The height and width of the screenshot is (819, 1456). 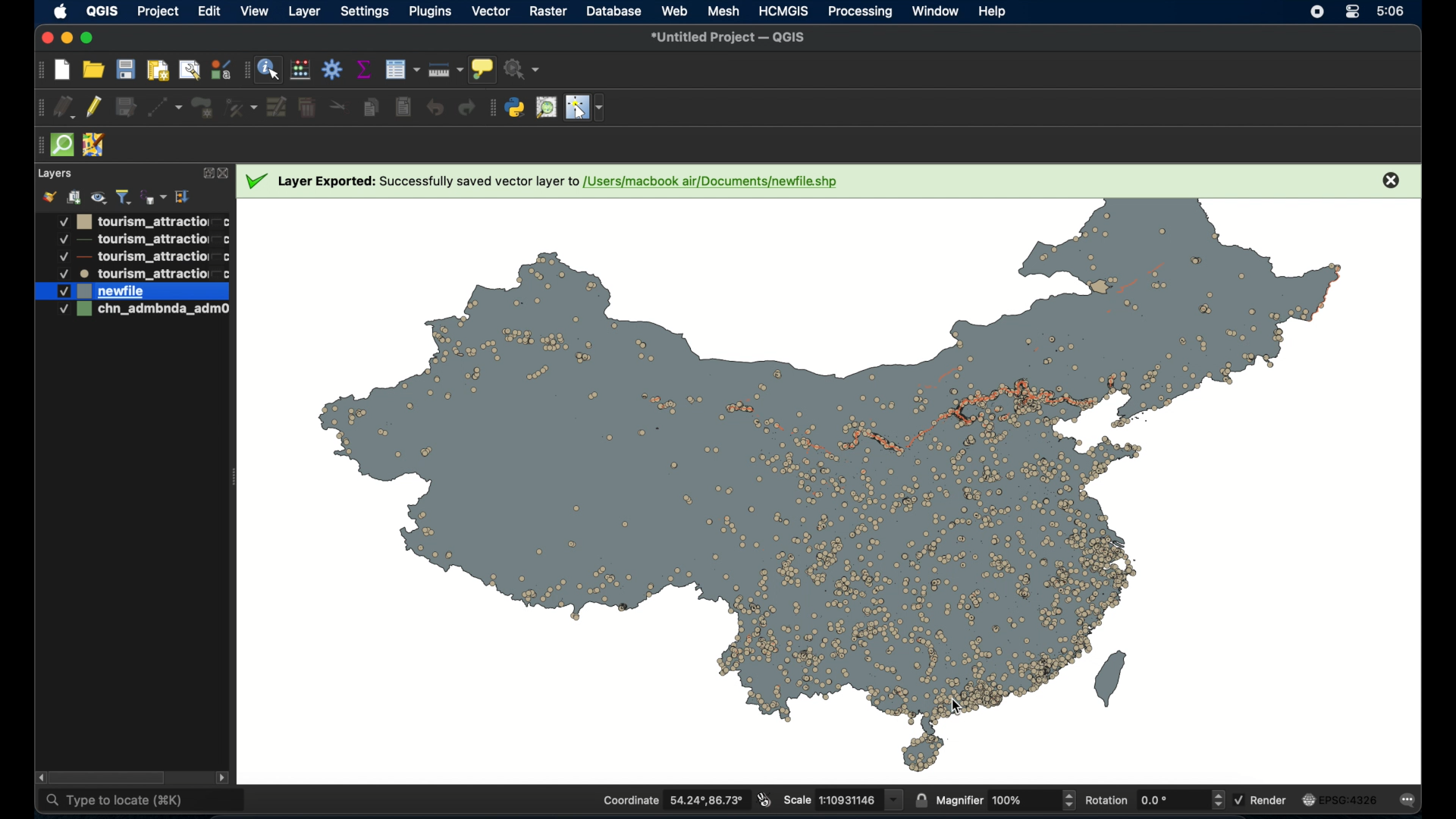 What do you see at coordinates (131, 257) in the screenshot?
I see `layer 3` at bounding box center [131, 257].